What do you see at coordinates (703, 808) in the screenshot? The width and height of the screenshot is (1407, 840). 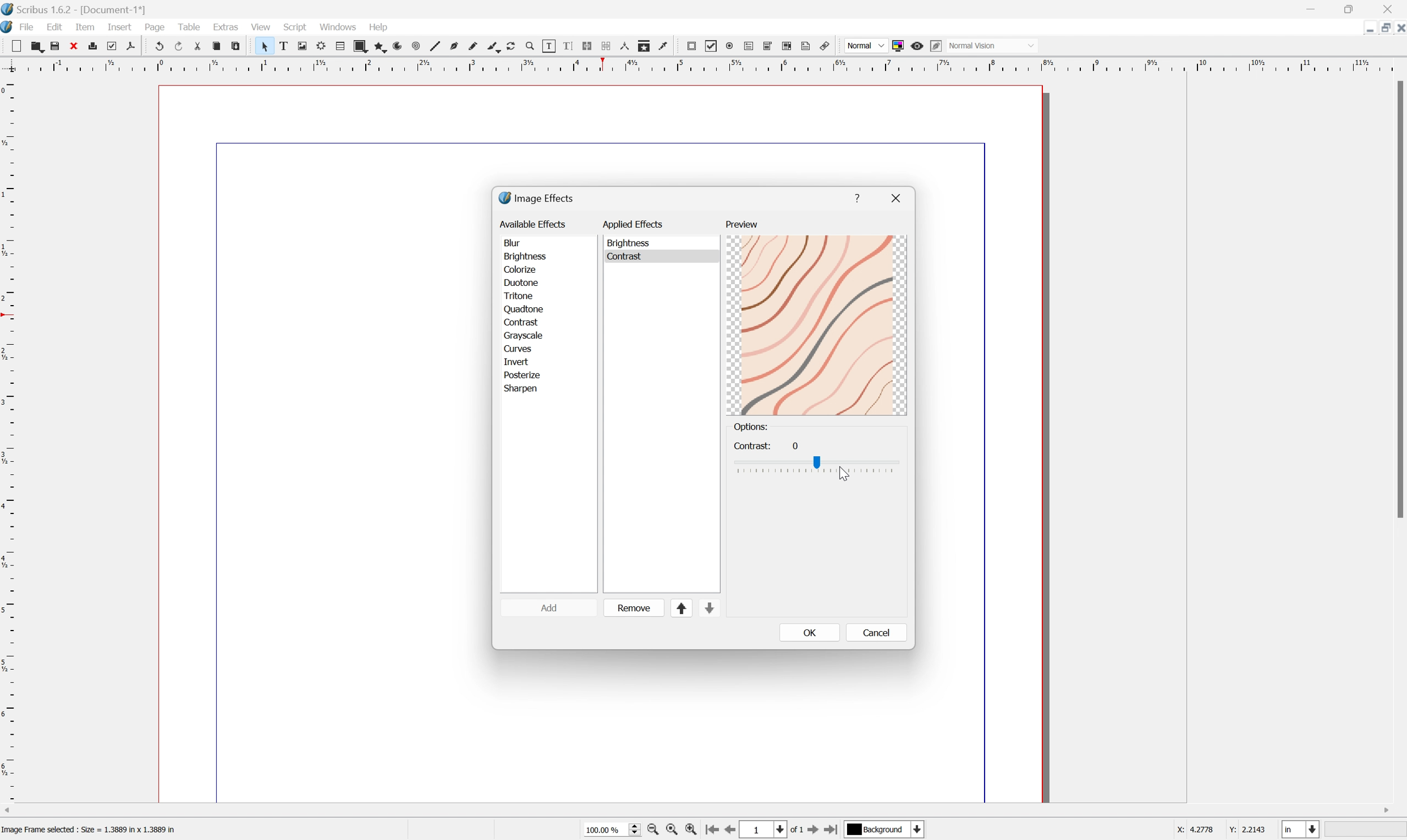 I see `Scroll bar` at bounding box center [703, 808].